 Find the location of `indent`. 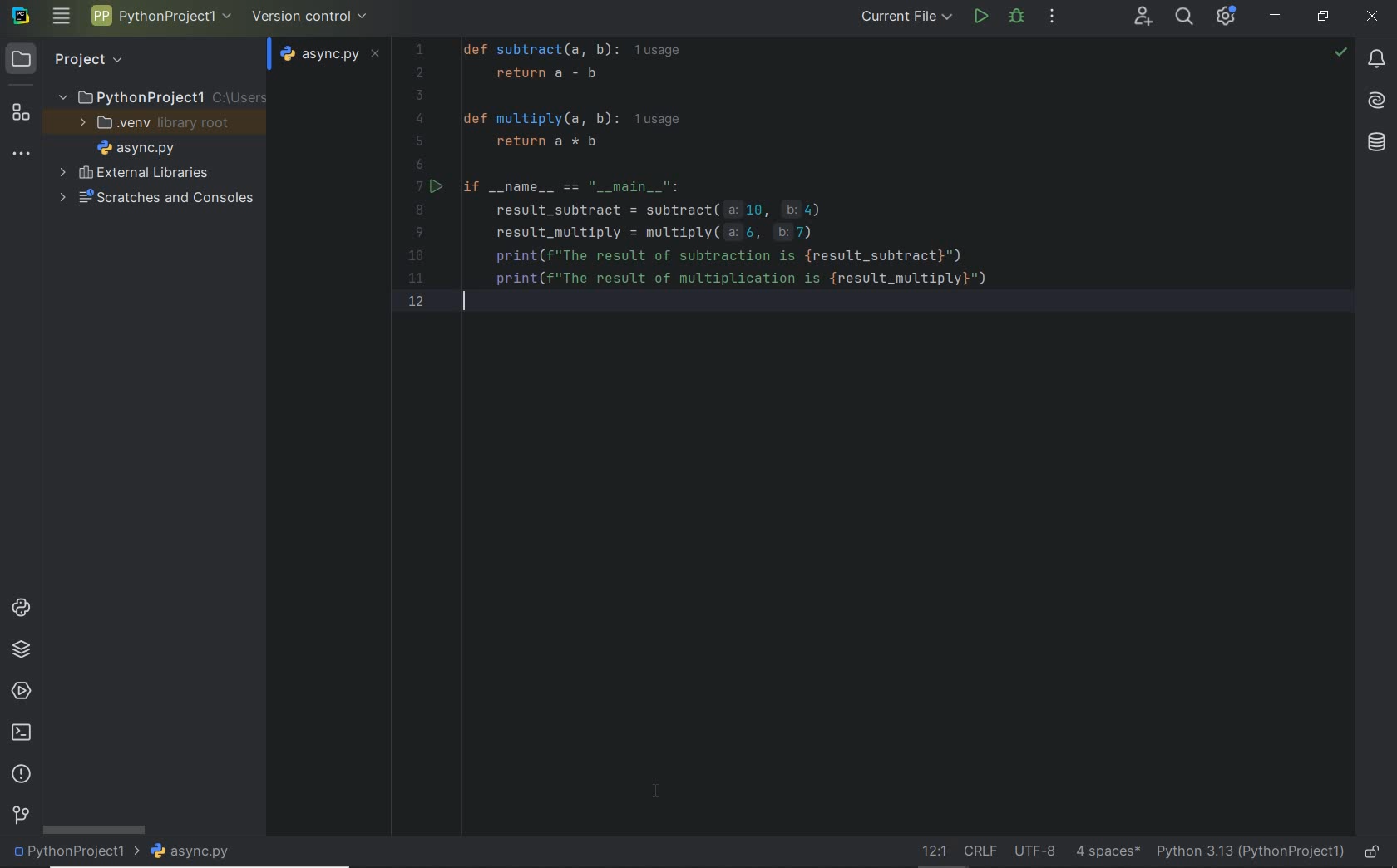

indent is located at coordinates (1108, 850).